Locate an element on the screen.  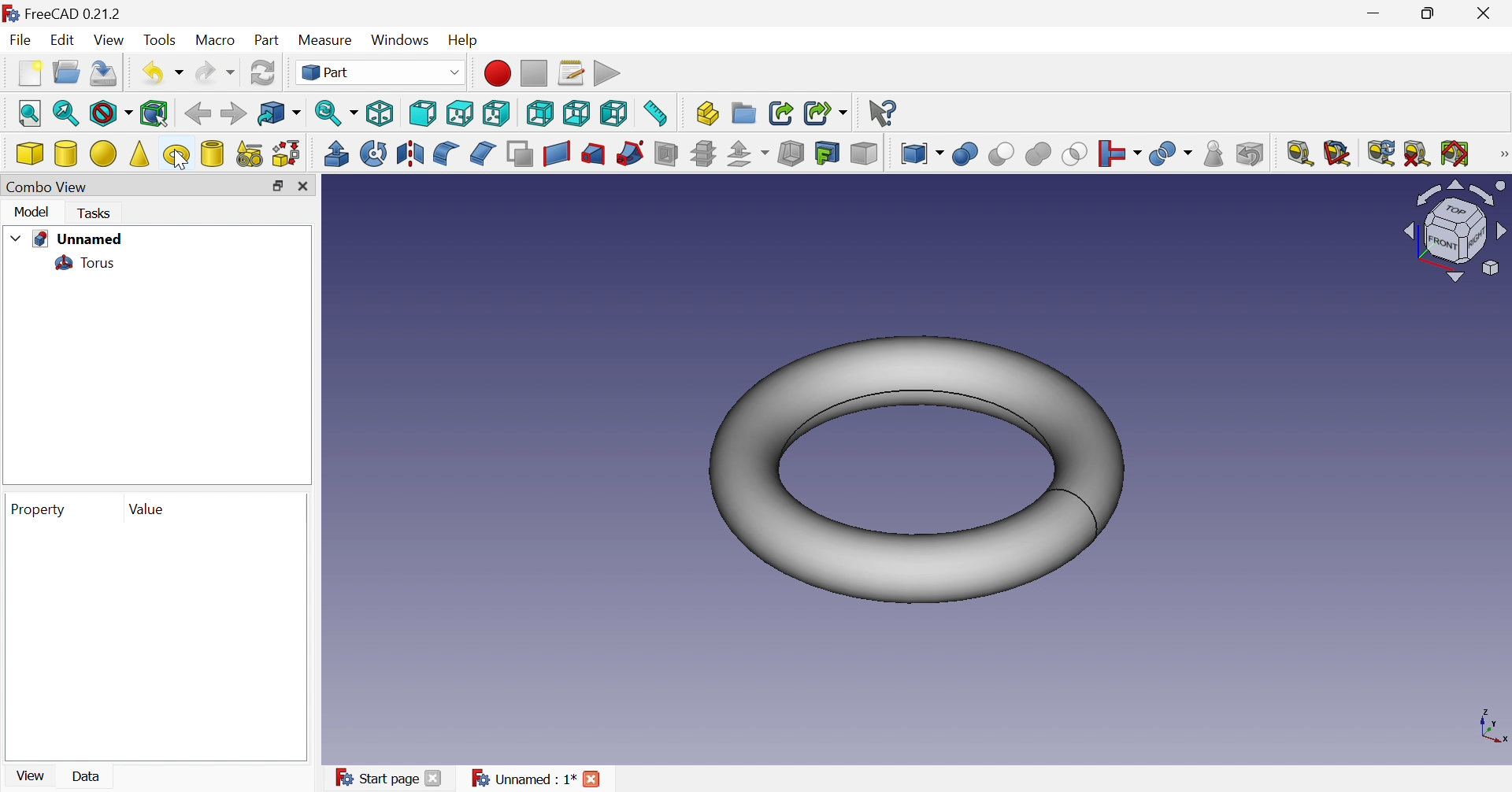
Top is located at coordinates (459, 113).